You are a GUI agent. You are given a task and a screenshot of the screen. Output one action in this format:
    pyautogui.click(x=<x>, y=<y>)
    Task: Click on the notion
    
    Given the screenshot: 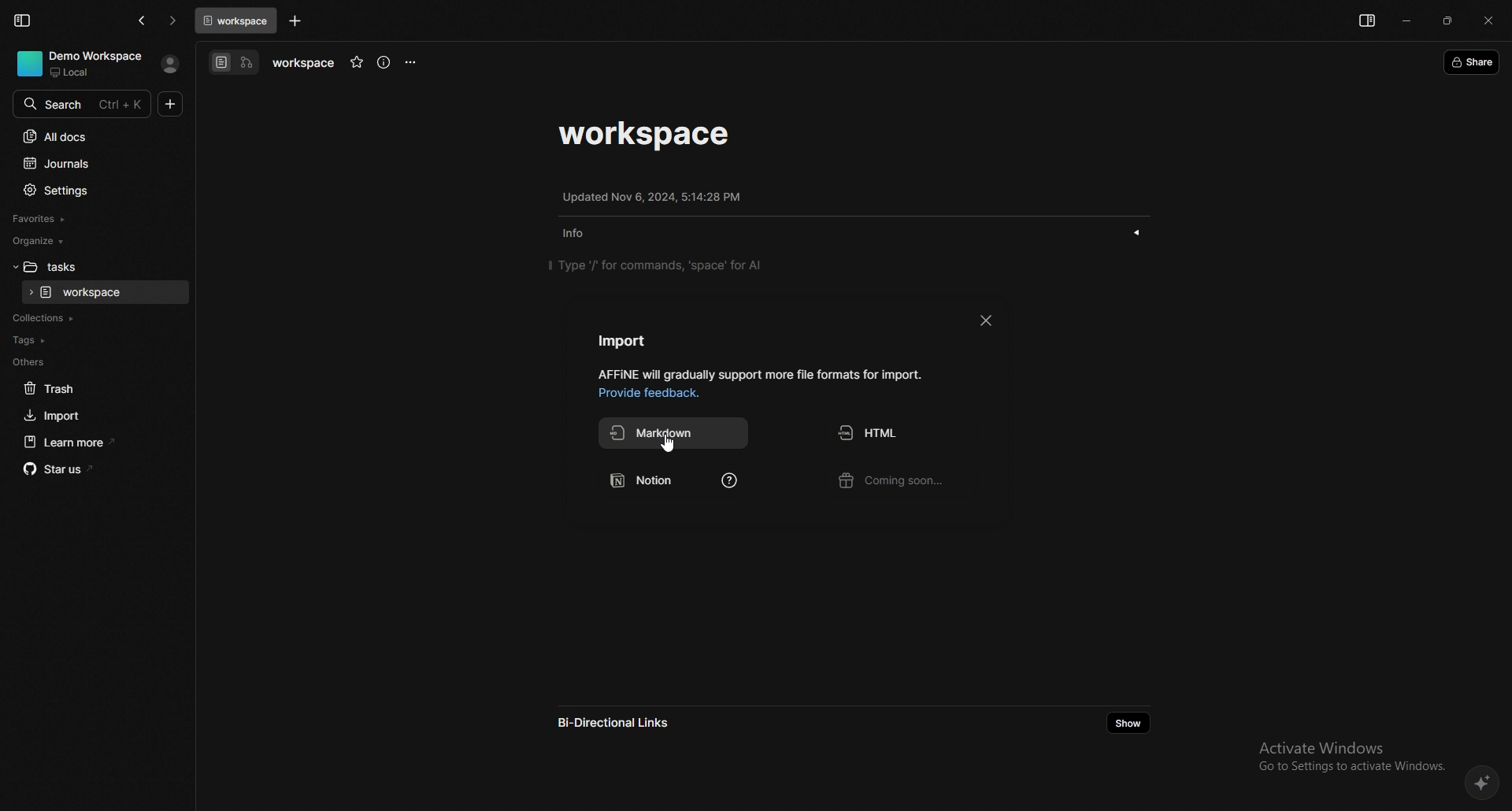 What is the action you would take?
    pyautogui.click(x=654, y=483)
    